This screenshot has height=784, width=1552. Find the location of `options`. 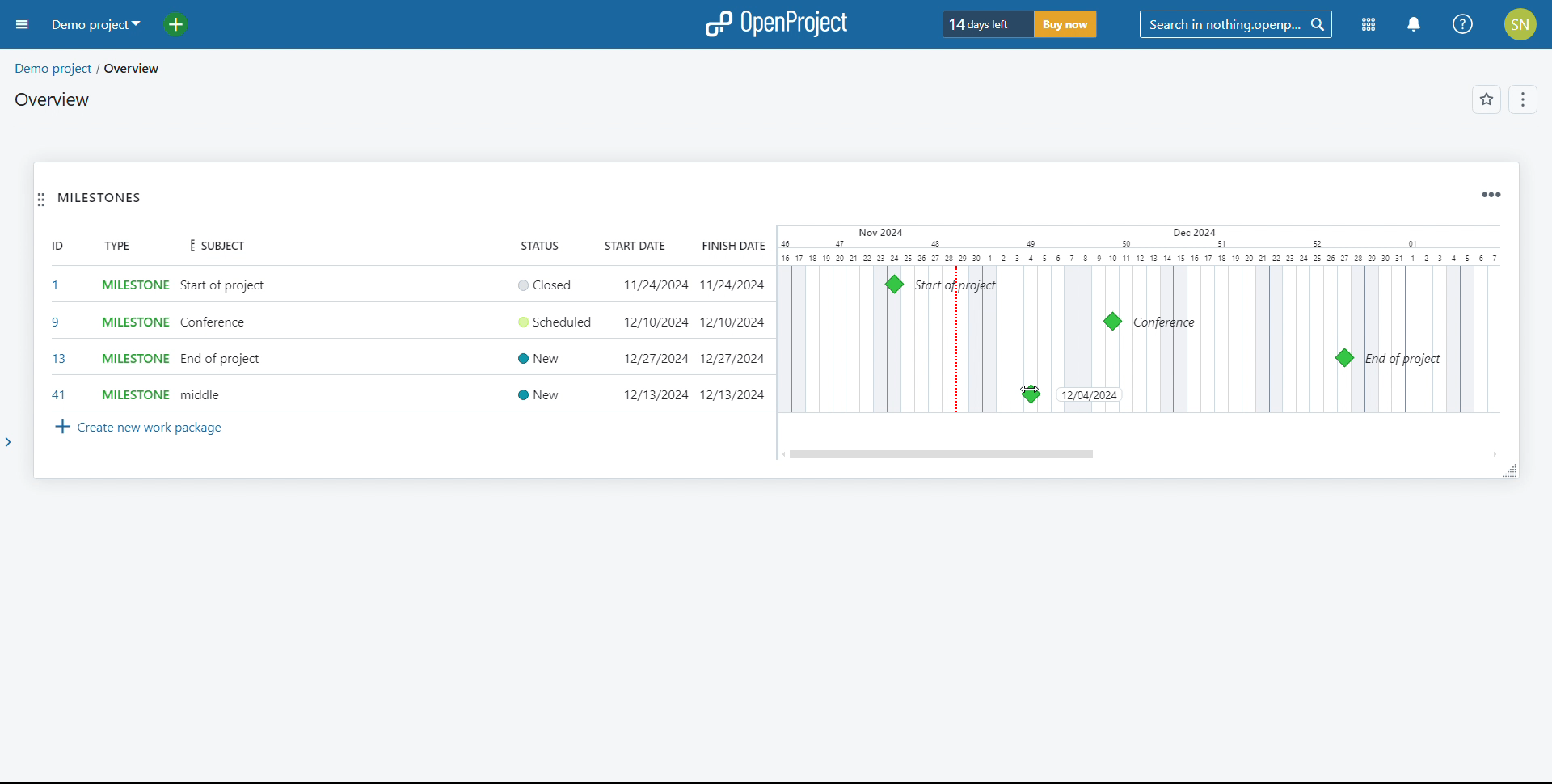

options is located at coordinates (1525, 100).